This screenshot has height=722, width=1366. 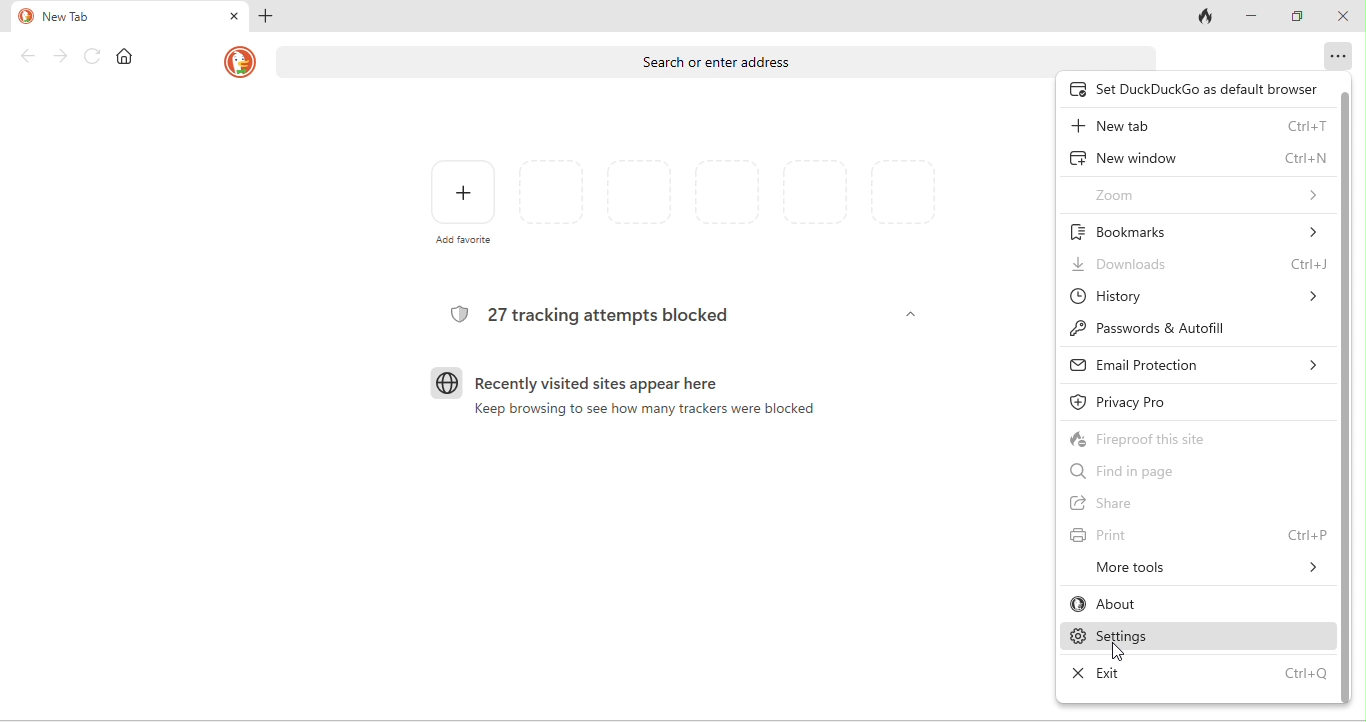 I want to click on back, so click(x=29, y=57).